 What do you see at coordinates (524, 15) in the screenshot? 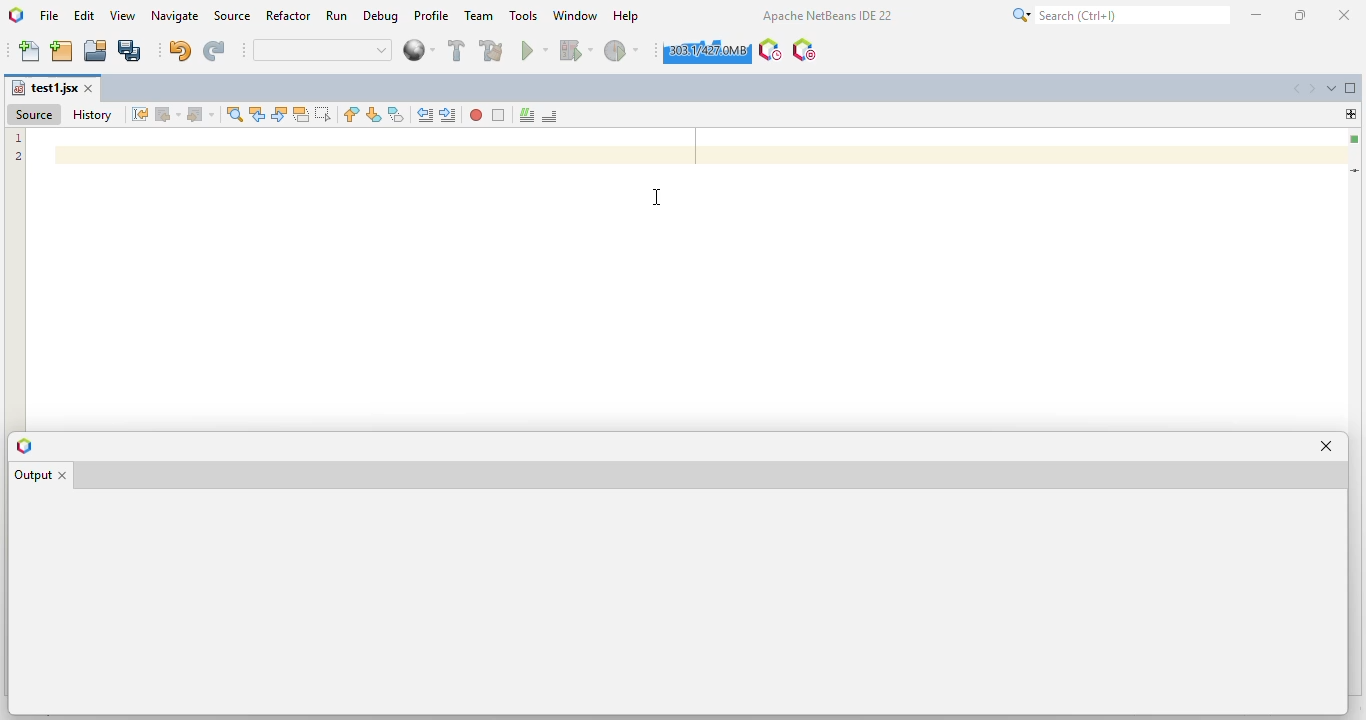
I see `tools` at bounding box center [524, 15].